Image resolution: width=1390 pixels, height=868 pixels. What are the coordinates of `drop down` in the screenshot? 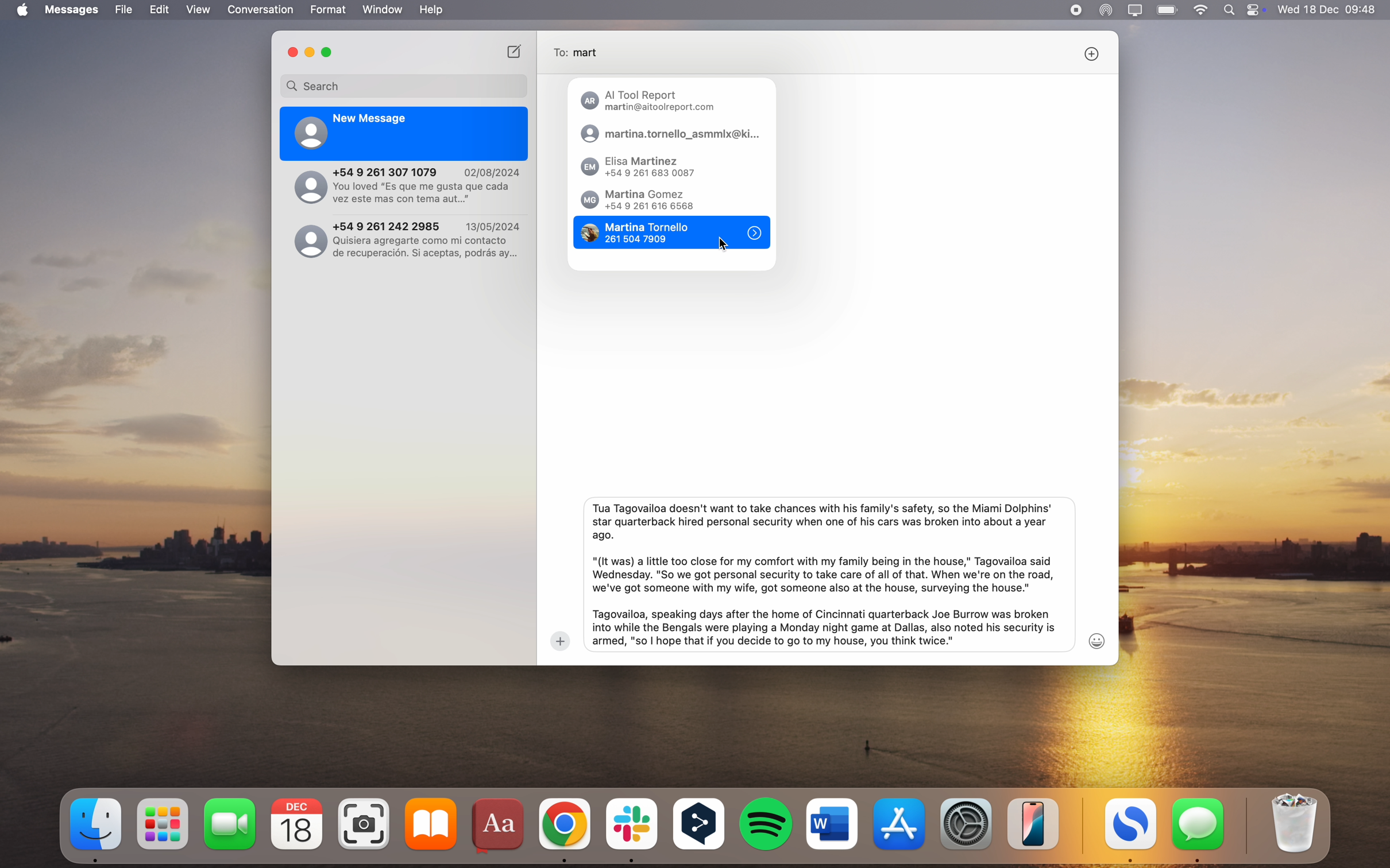 It's located at (754, 234).